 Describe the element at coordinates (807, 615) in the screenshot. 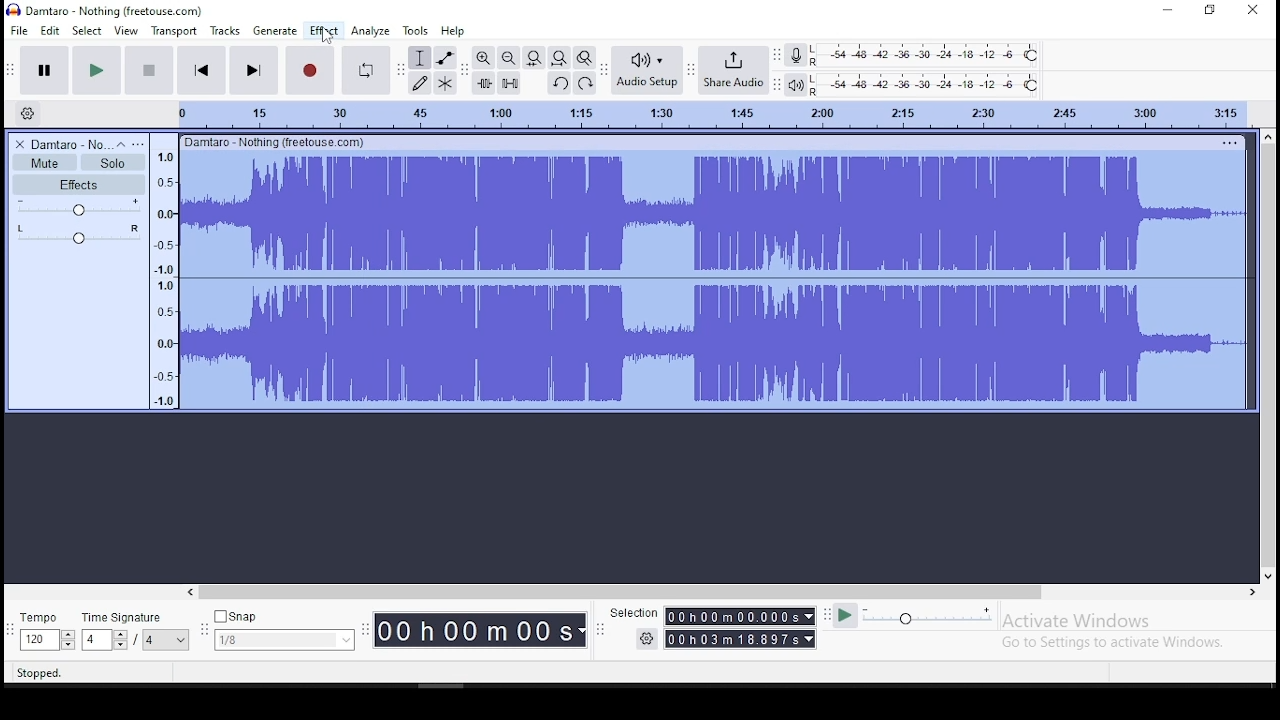

I see `Drop down` at that location.